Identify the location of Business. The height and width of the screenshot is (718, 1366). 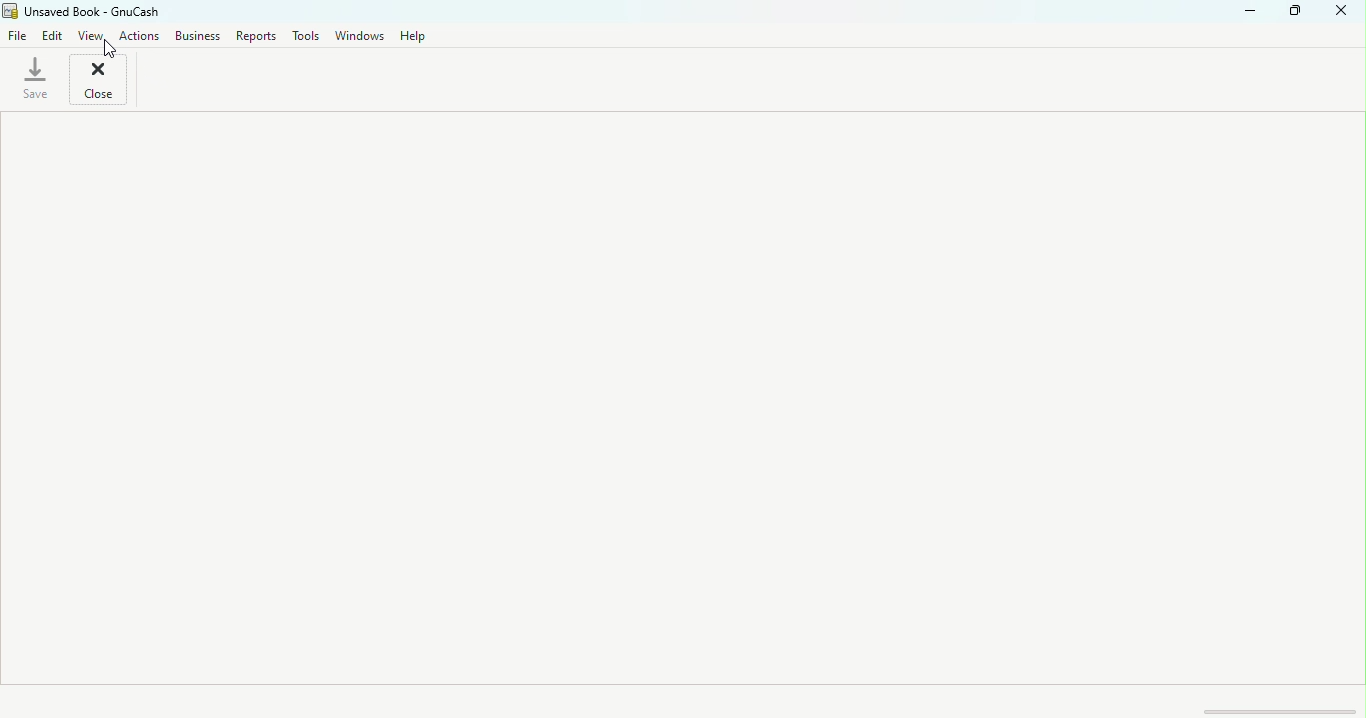
(201, 38).